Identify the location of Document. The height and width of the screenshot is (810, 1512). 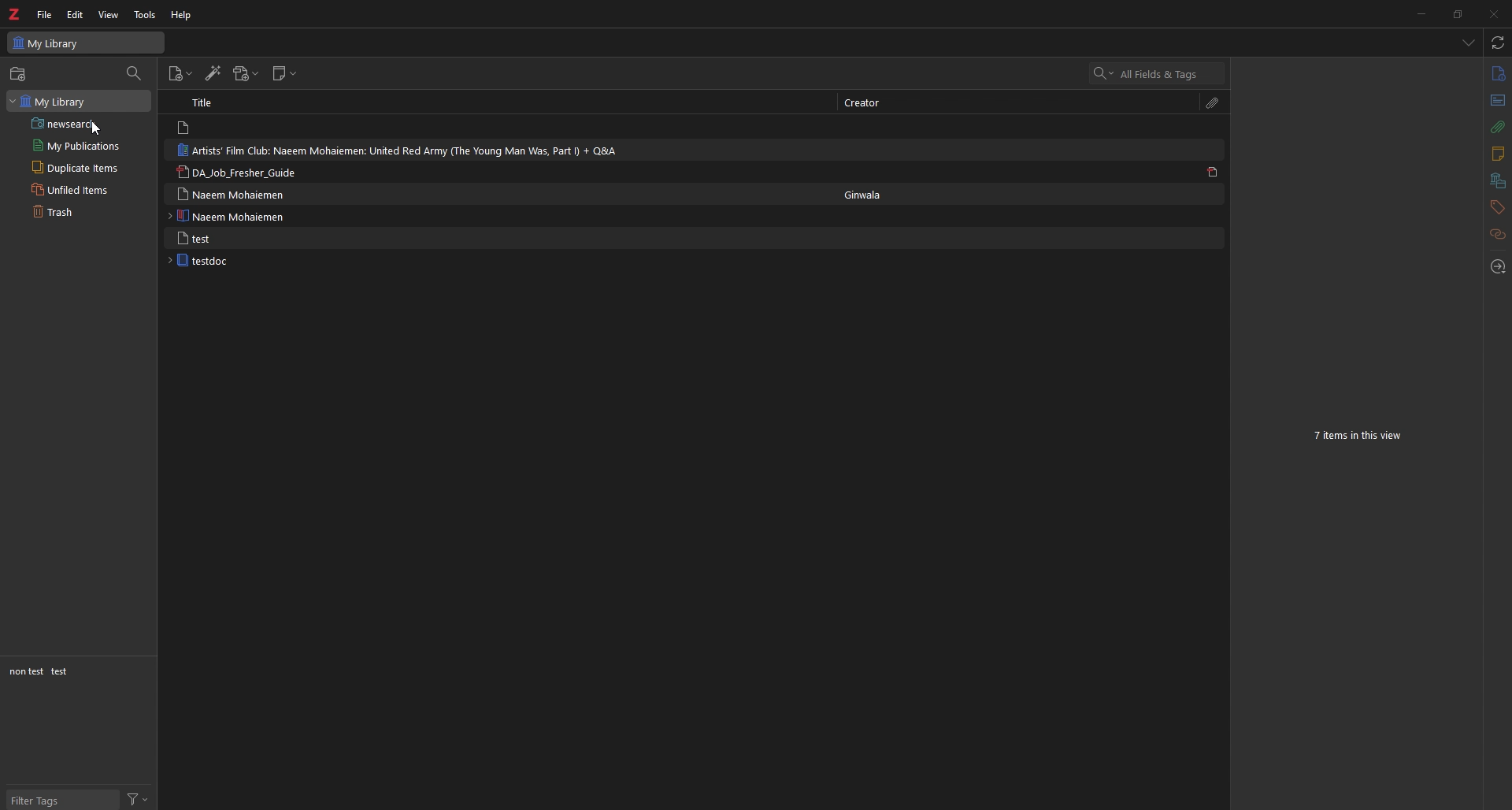
(231, 195).